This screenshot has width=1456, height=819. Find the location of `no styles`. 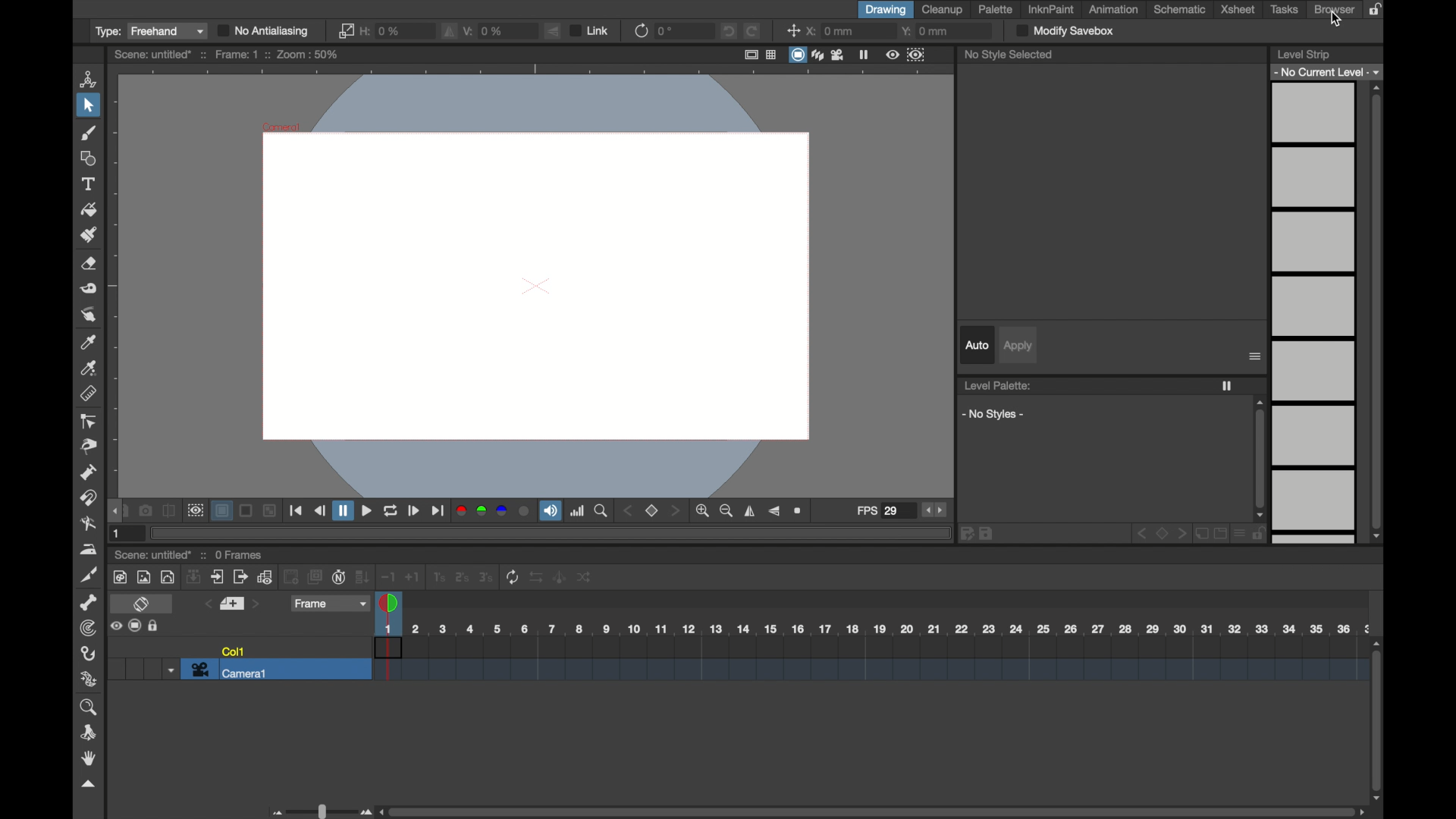

no styles is located at coordinates (993, 414).